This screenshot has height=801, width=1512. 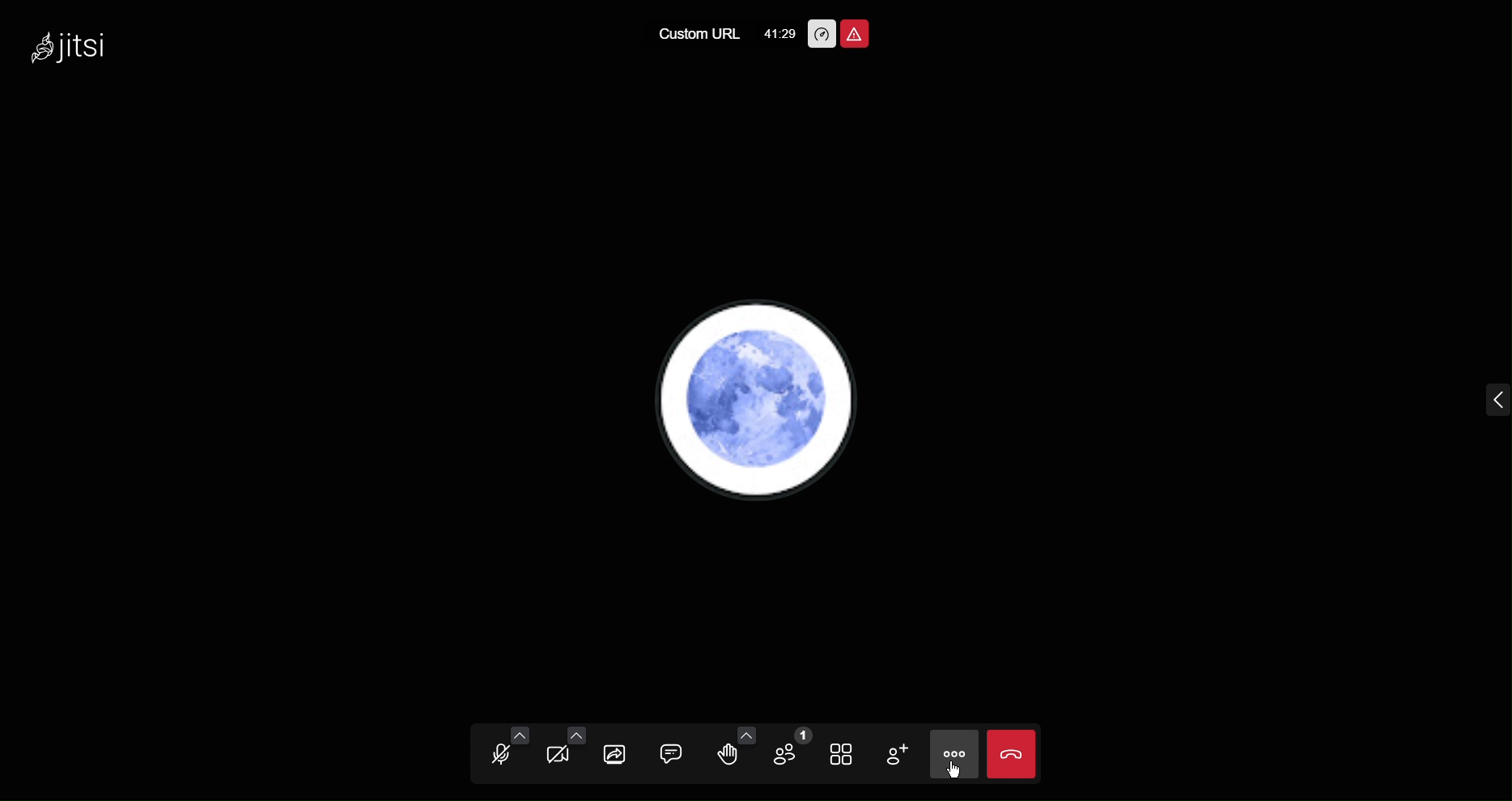 I want to click on 41:29, so click(x=779, y=30).